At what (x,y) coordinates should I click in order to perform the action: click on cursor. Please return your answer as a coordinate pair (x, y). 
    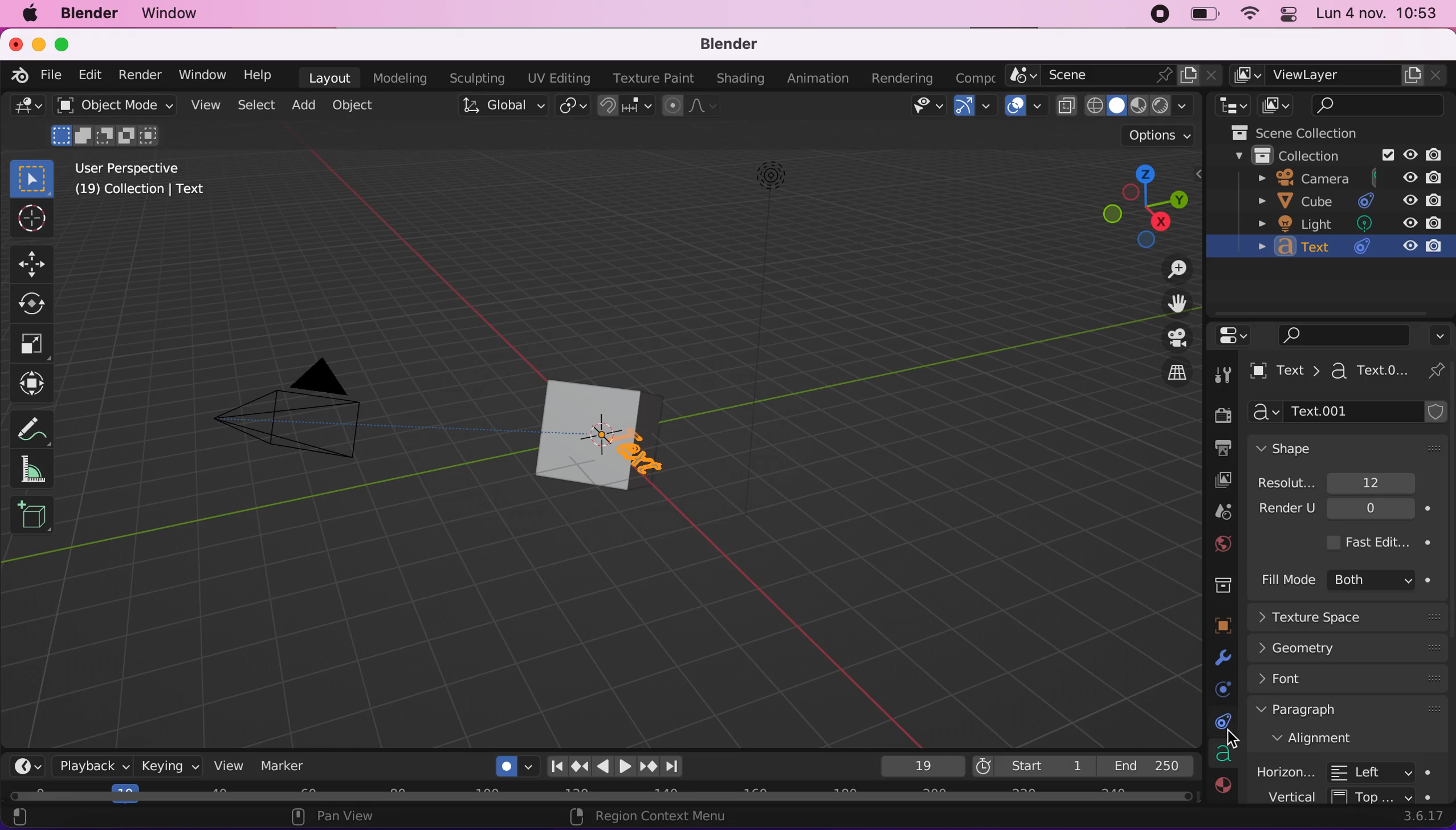
    Looking at the image, I should click on (1235, 743).